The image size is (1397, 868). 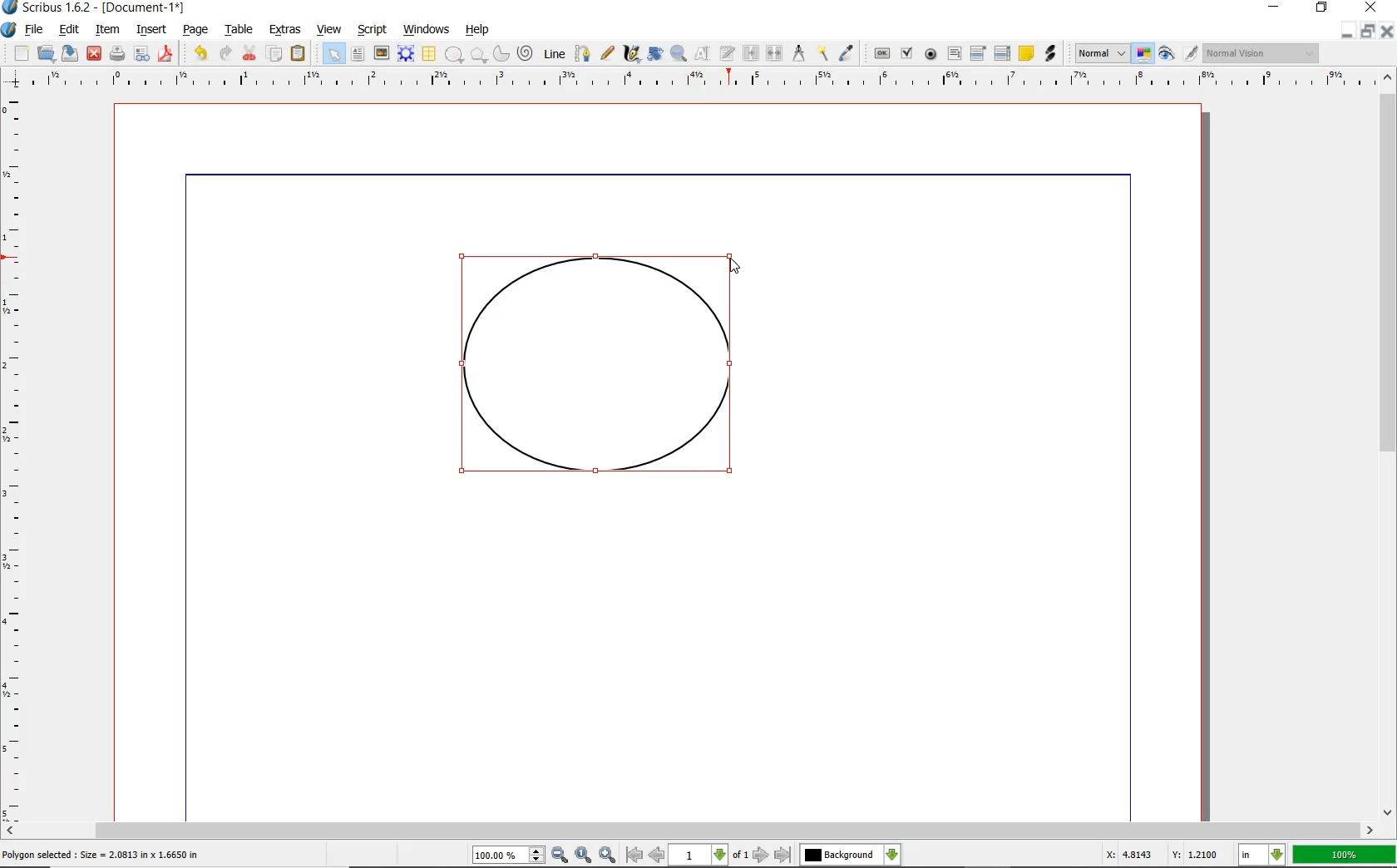 I want to click on CLOSE, so click(x=1387, y=32).